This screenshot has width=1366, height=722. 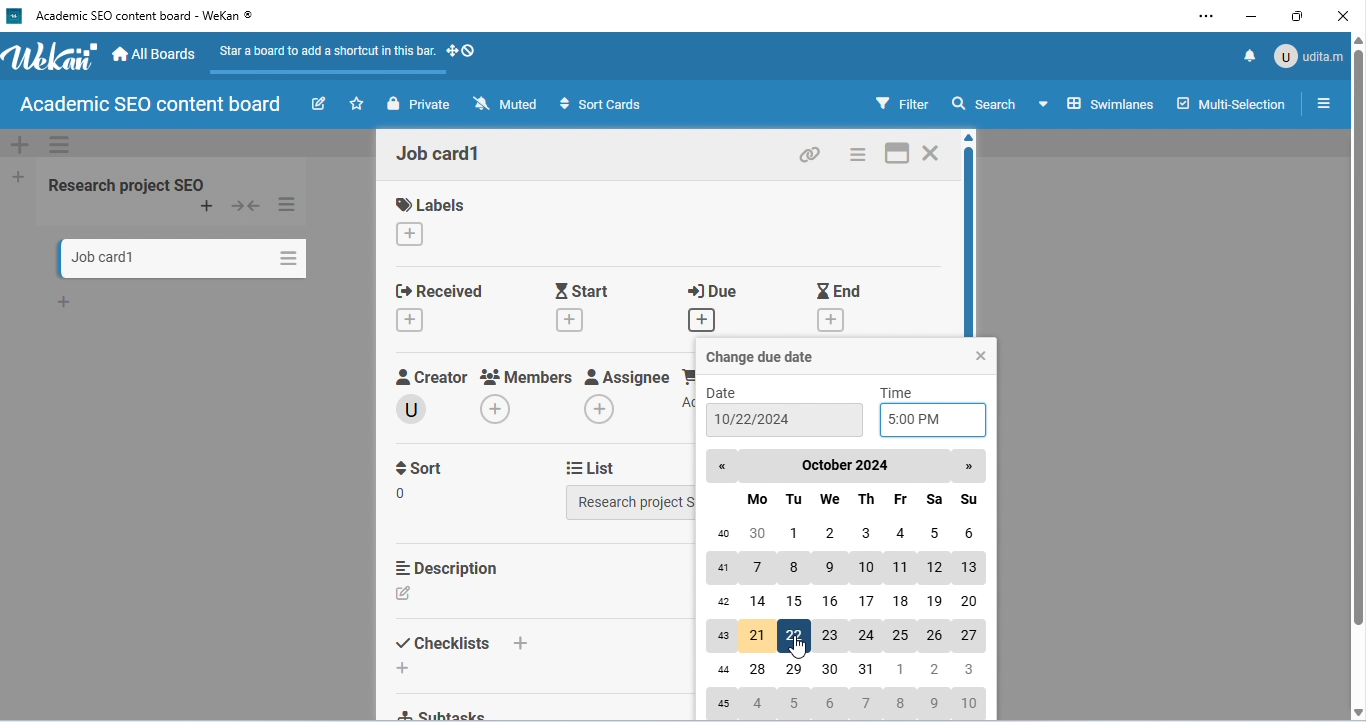 What do you see at coordinates (412, 233) in the screenshot?
I see `change labels` at bounding box center [412, 233].